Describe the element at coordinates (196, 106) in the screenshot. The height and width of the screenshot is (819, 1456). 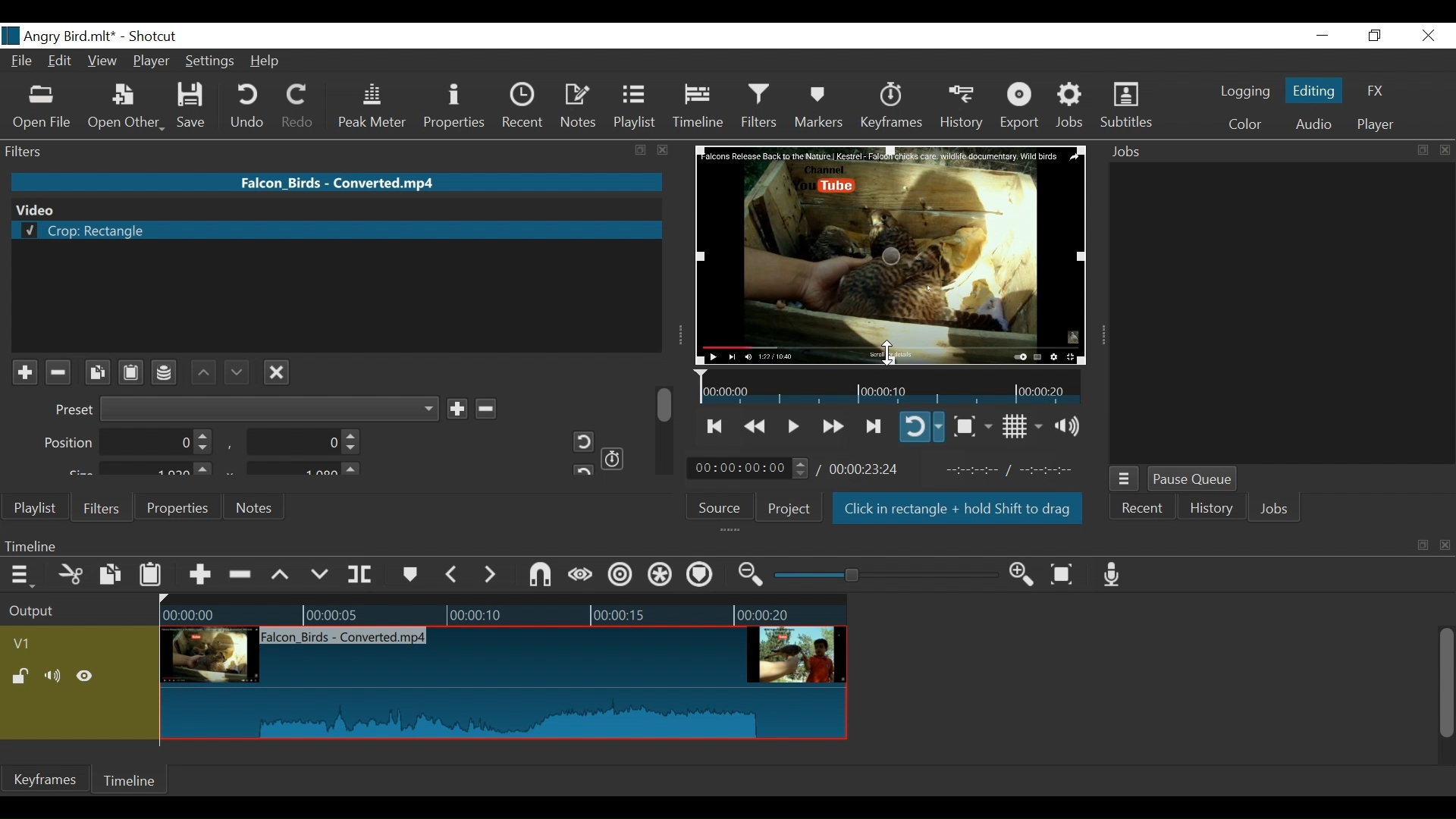
I see `Save` at that location.